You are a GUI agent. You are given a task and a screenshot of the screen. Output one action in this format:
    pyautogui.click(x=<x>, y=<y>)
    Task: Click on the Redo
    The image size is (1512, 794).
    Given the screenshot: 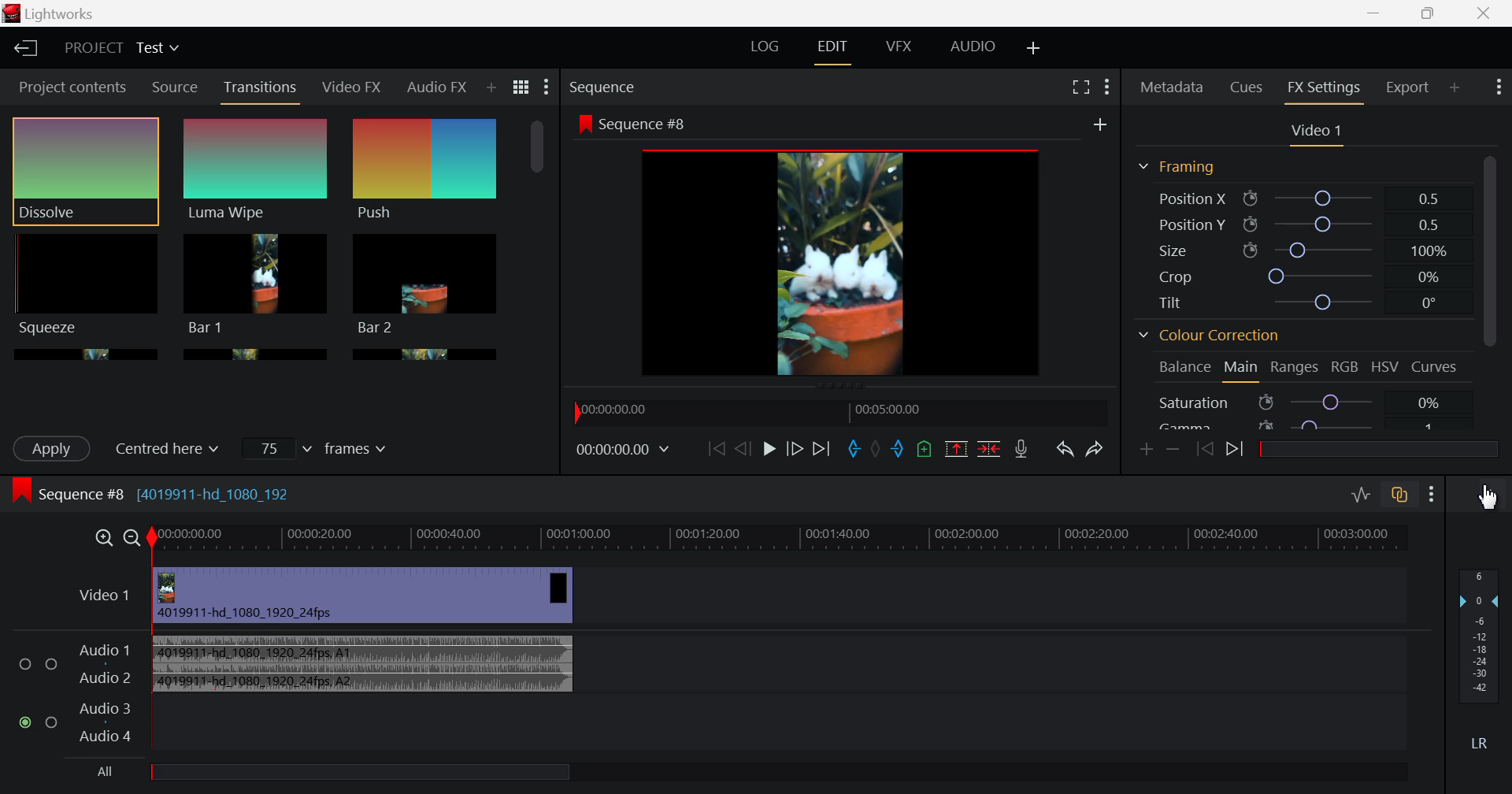 What is the action you would take?
    pyautogui.click(x=1096, y=451)
    